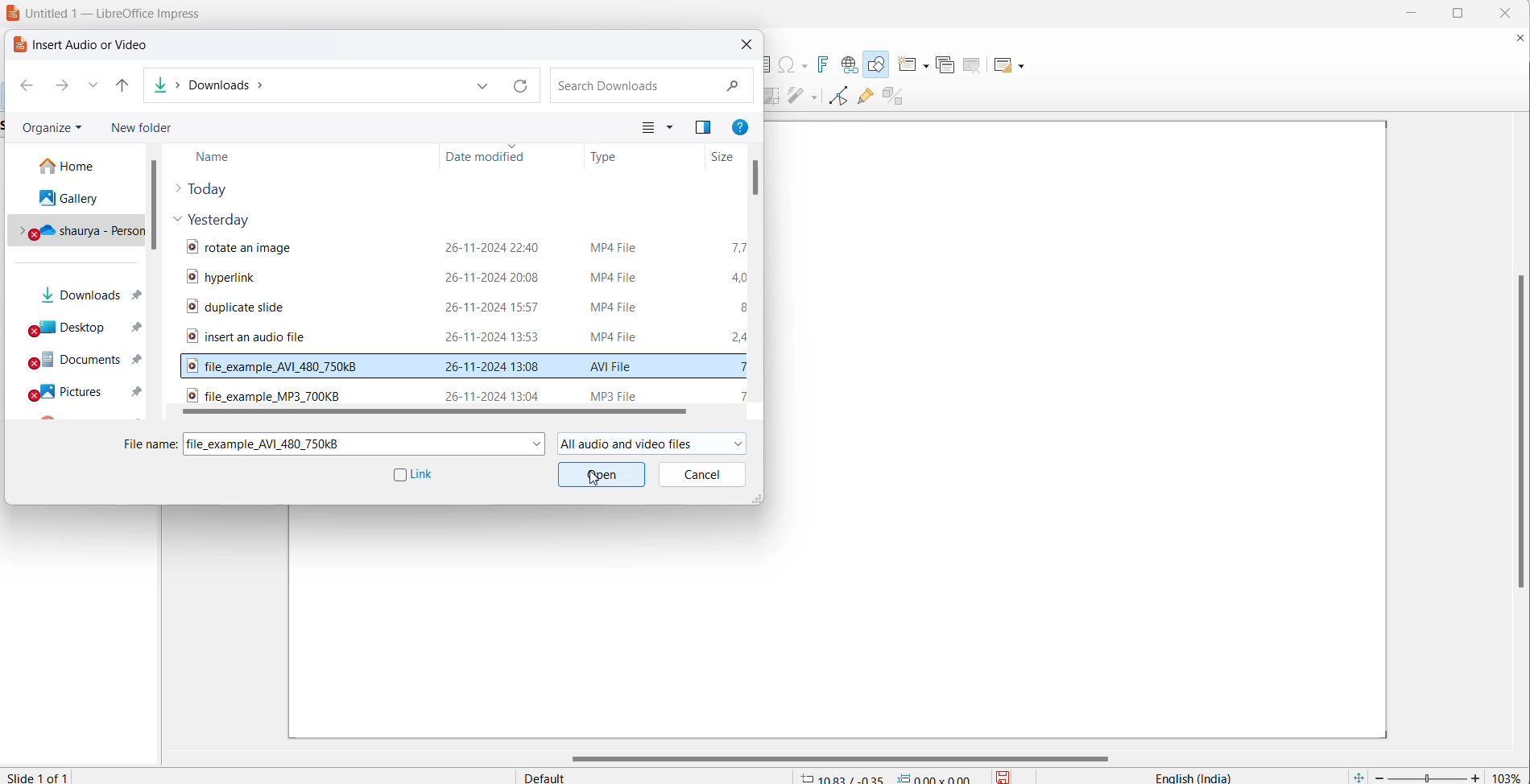 The height and width of the screenshot is (784, 1530). I want to click on audio file size, so click(733, 391).